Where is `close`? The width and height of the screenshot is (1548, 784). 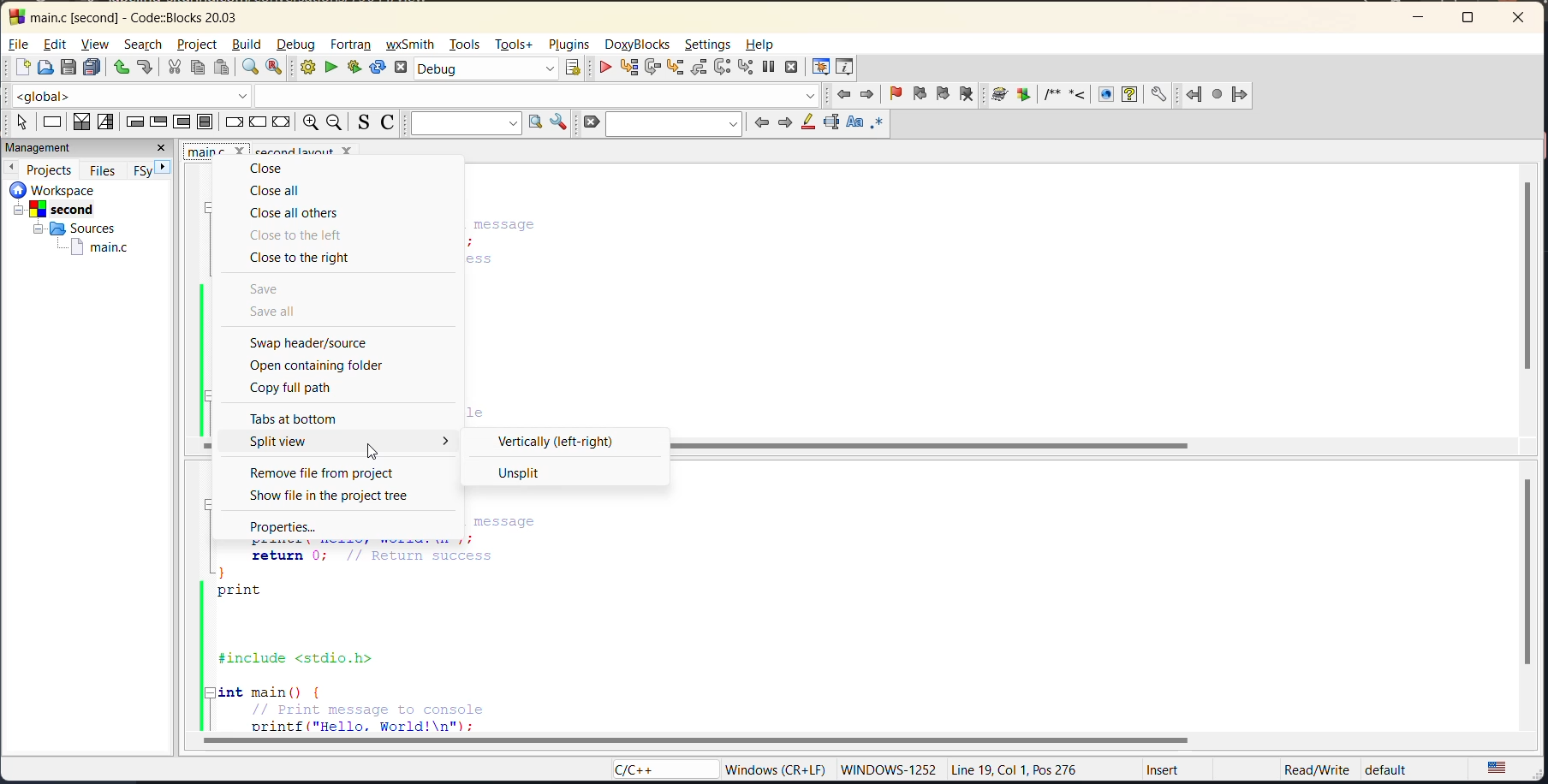
close is located at coordinates (162, 147).